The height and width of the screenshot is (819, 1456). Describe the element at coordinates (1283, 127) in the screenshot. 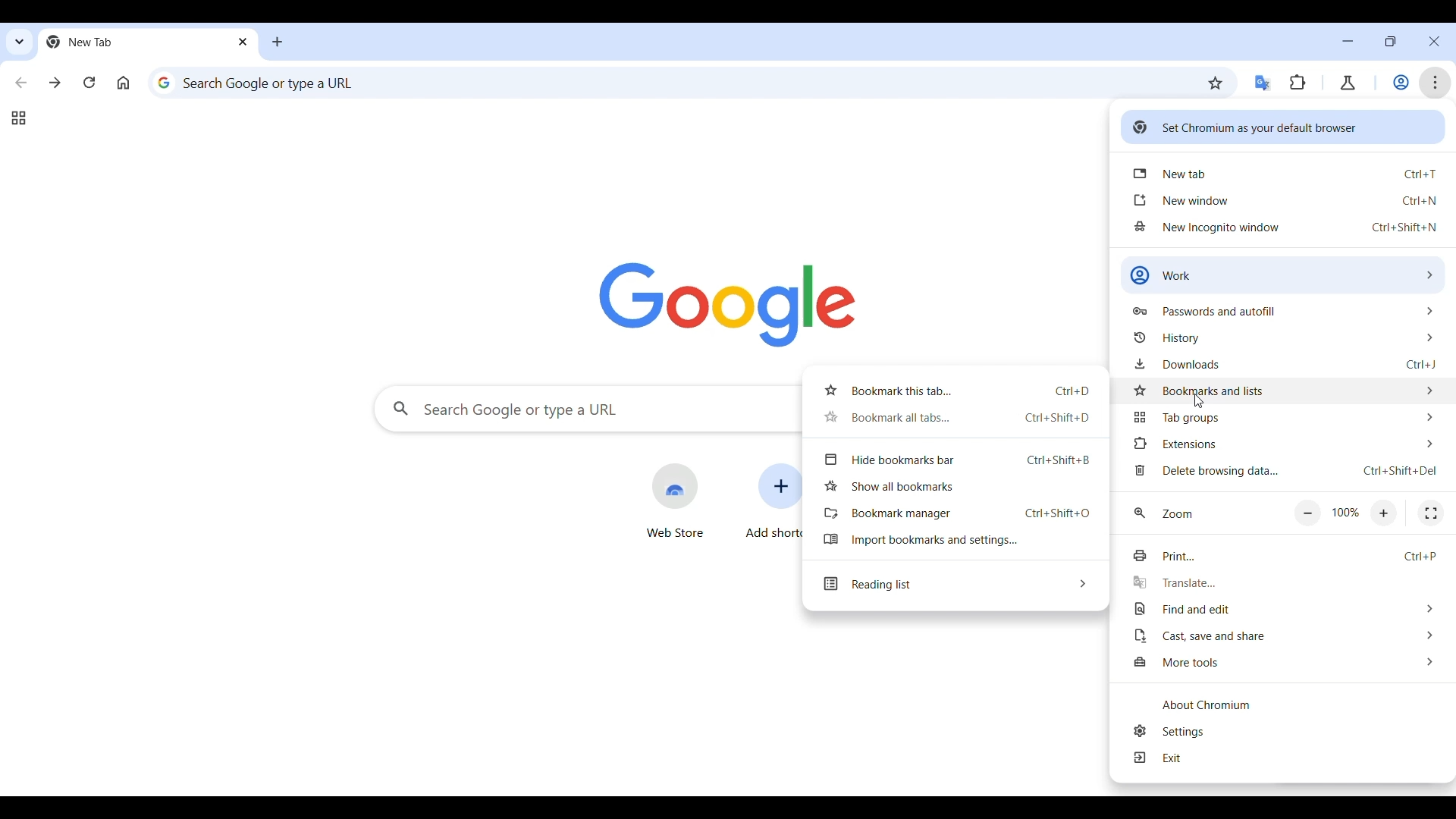

I see `Set Chromium as your default browser` at that location.